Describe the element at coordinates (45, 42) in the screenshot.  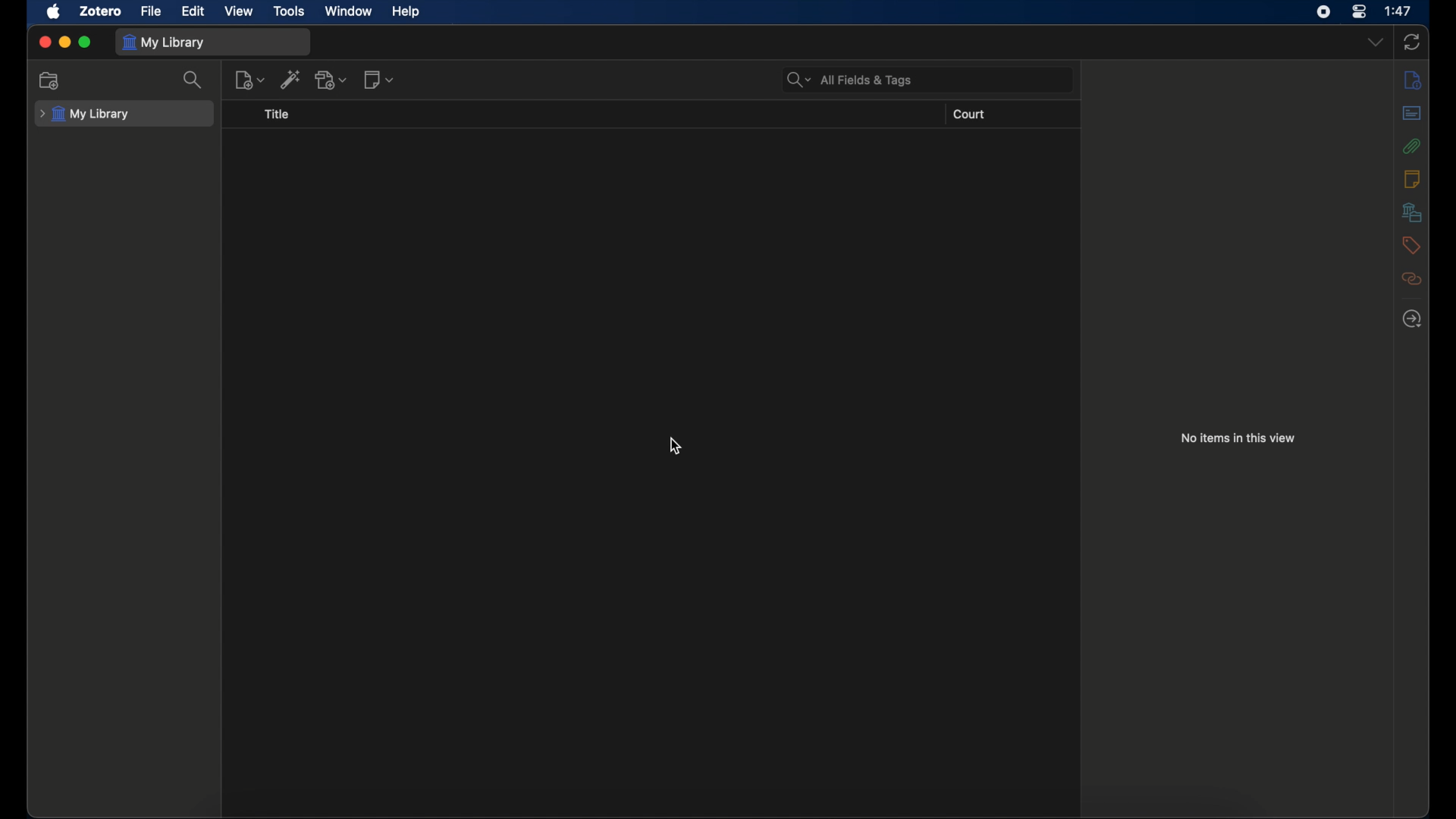
I see `close` at that location.